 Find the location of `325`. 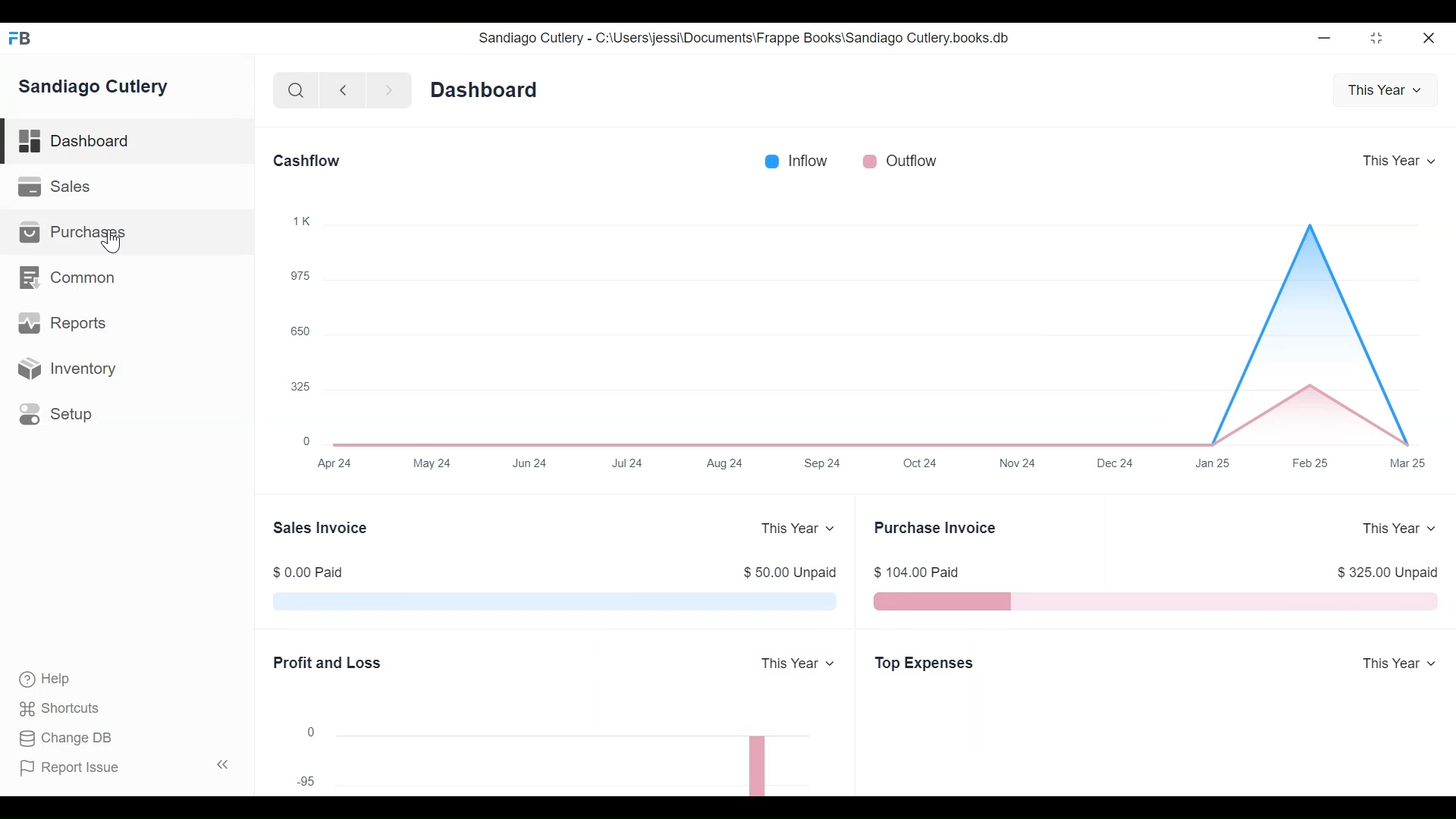

325 is located at coordinates (293, 388).